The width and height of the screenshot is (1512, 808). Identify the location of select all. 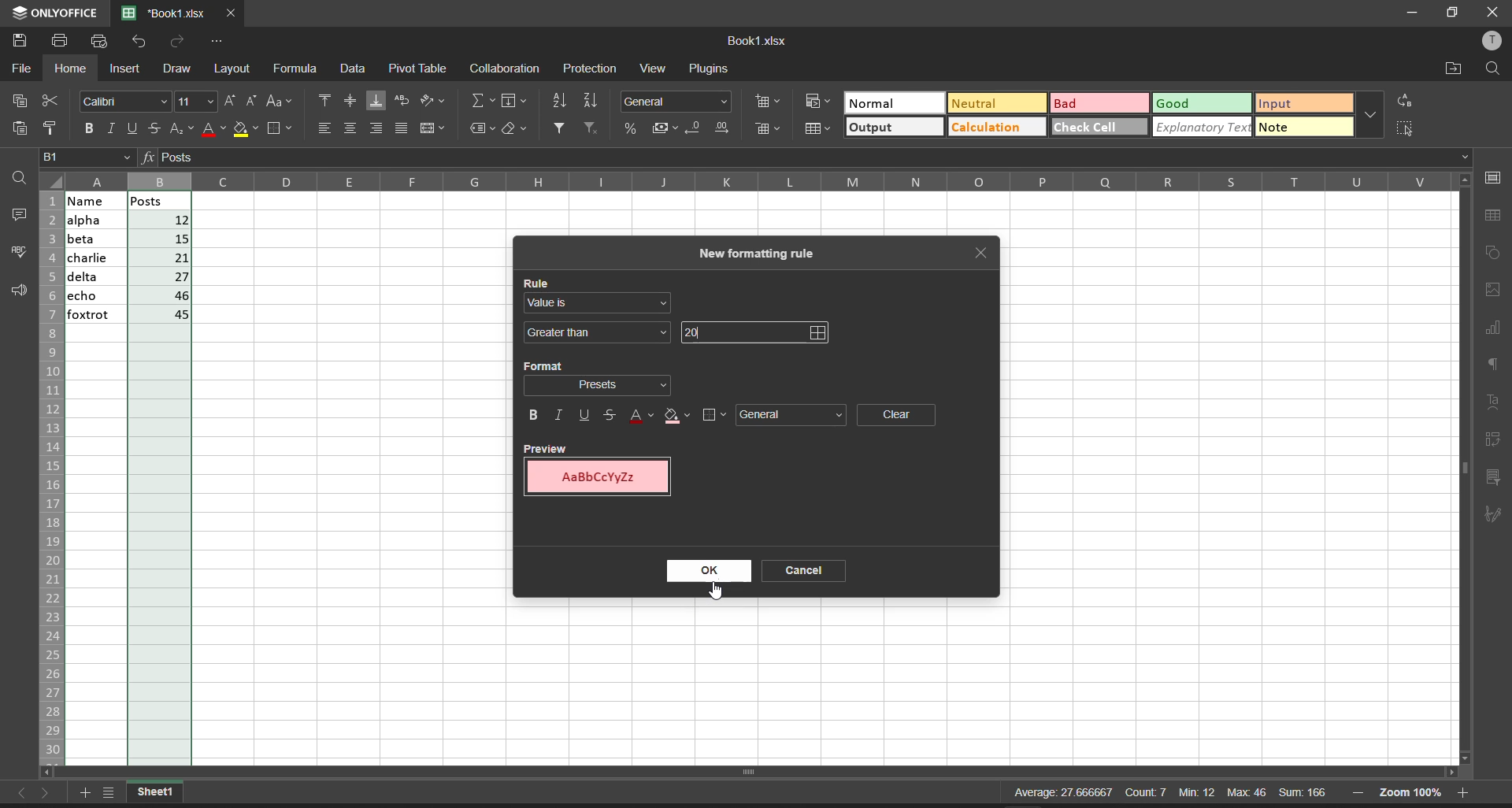
(1407, 127).